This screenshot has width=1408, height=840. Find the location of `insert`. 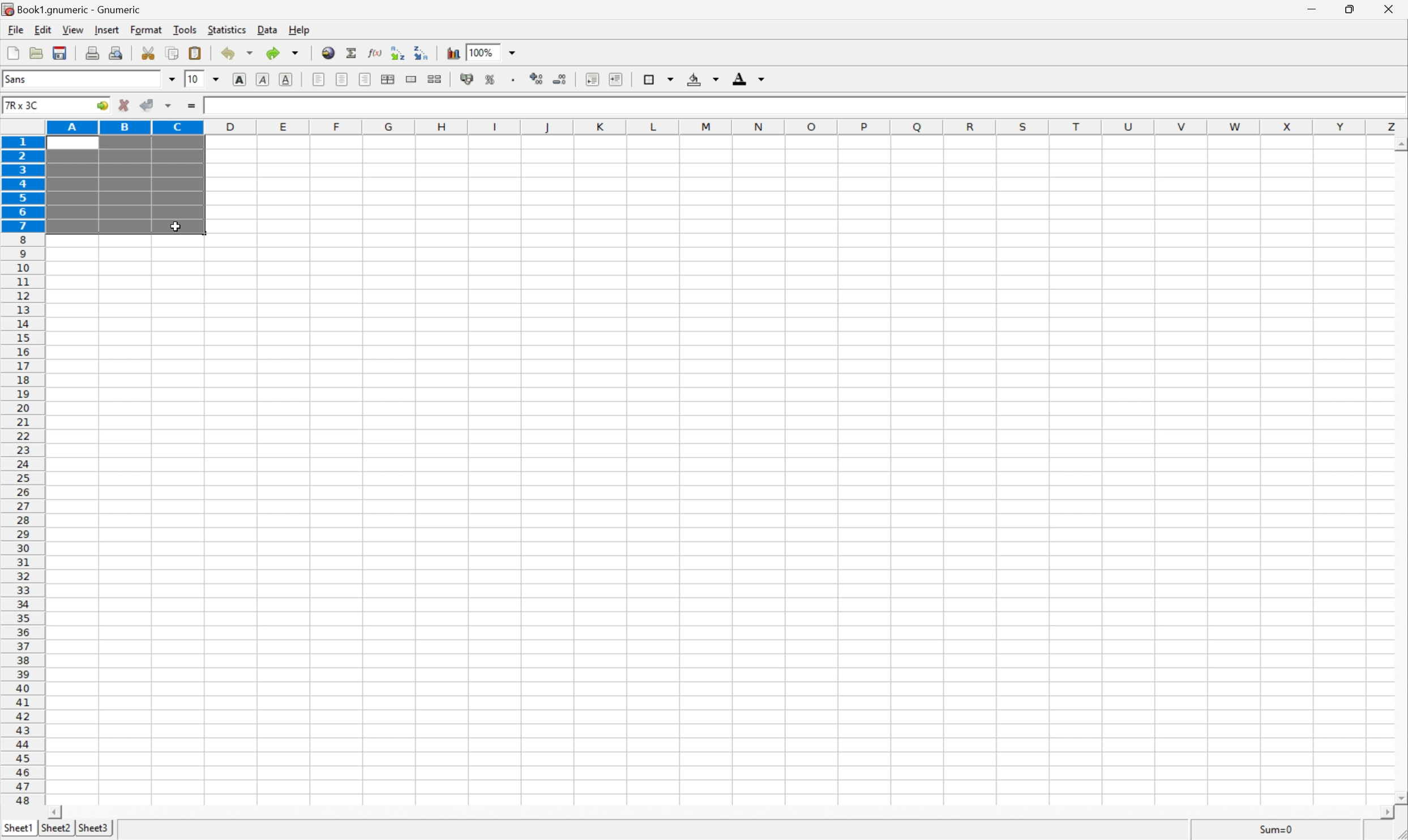

insert is located at coordinates (106, 30).